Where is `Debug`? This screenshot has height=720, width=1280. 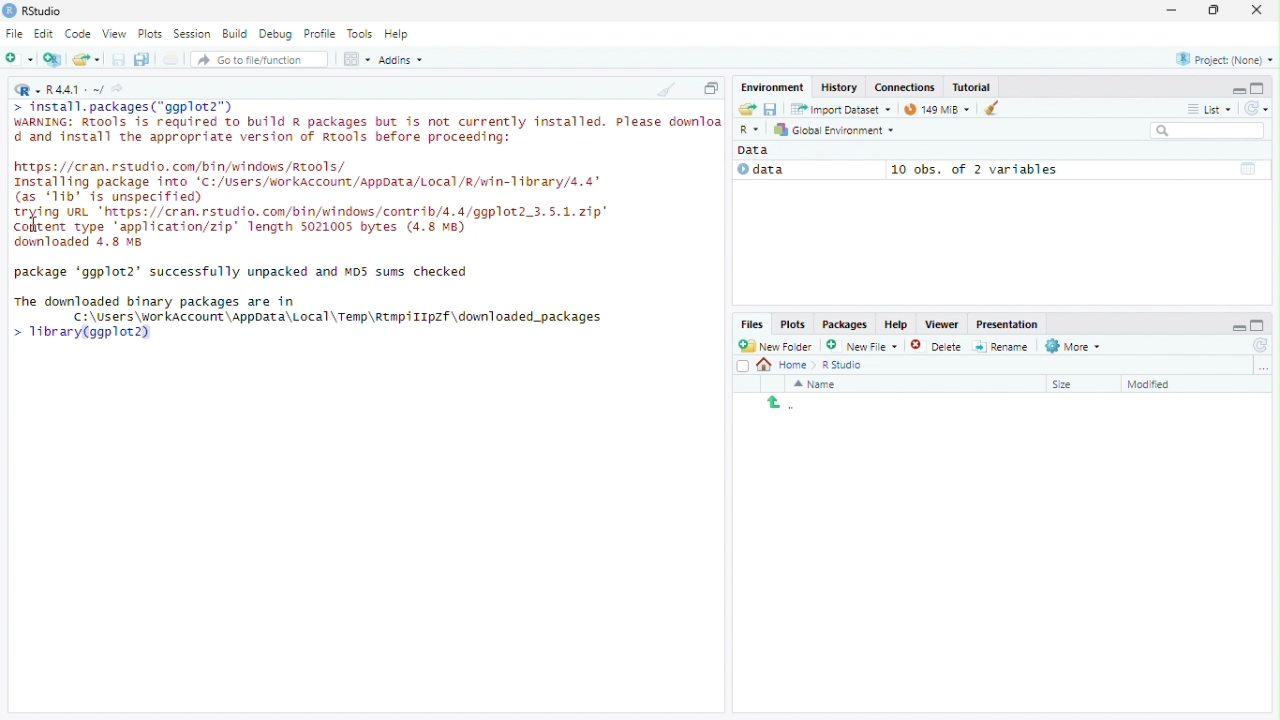
Debug is located at coordinates (278, 34).